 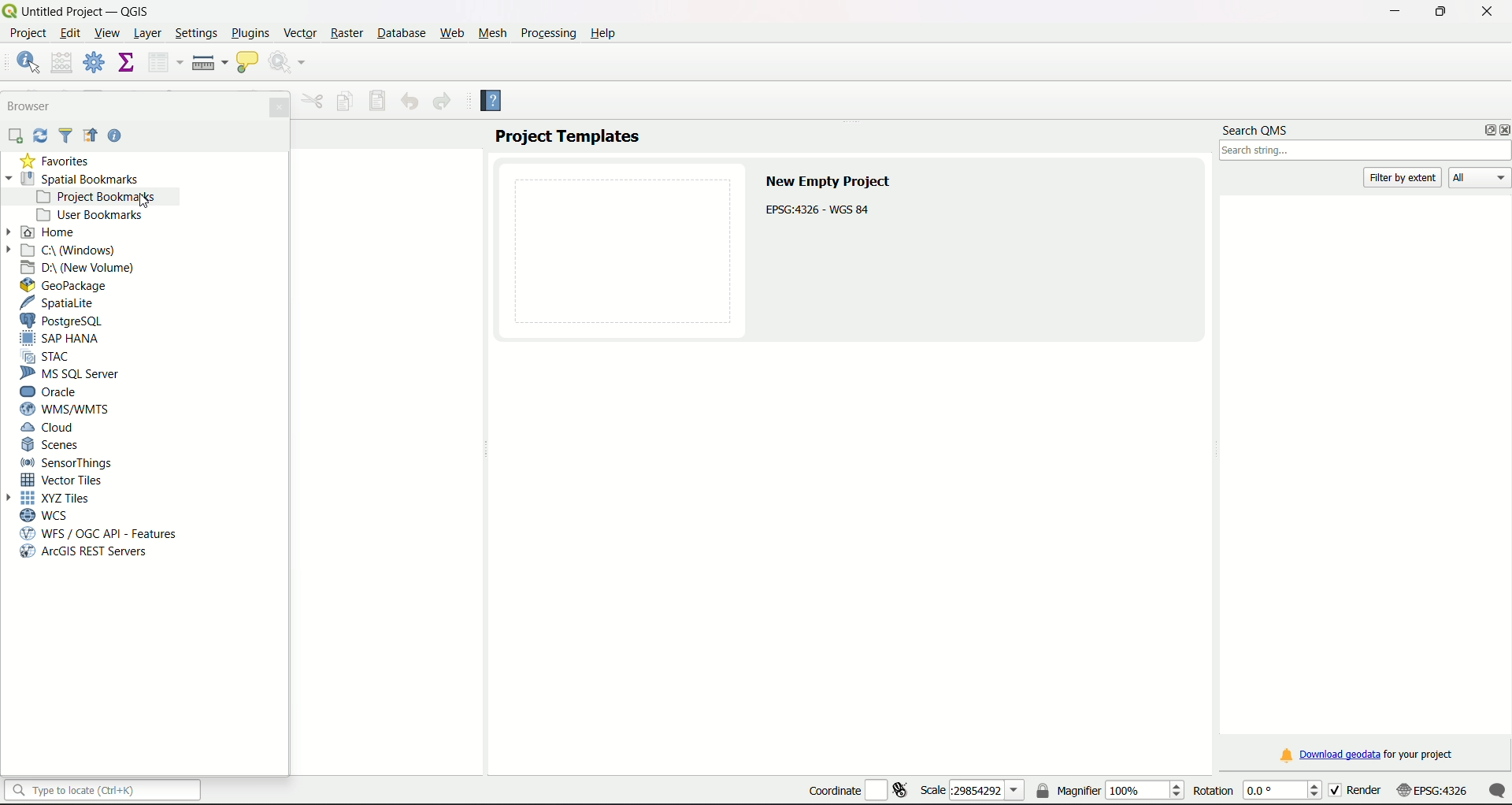 I want to click on title and logo, so click(x=79, y=10).